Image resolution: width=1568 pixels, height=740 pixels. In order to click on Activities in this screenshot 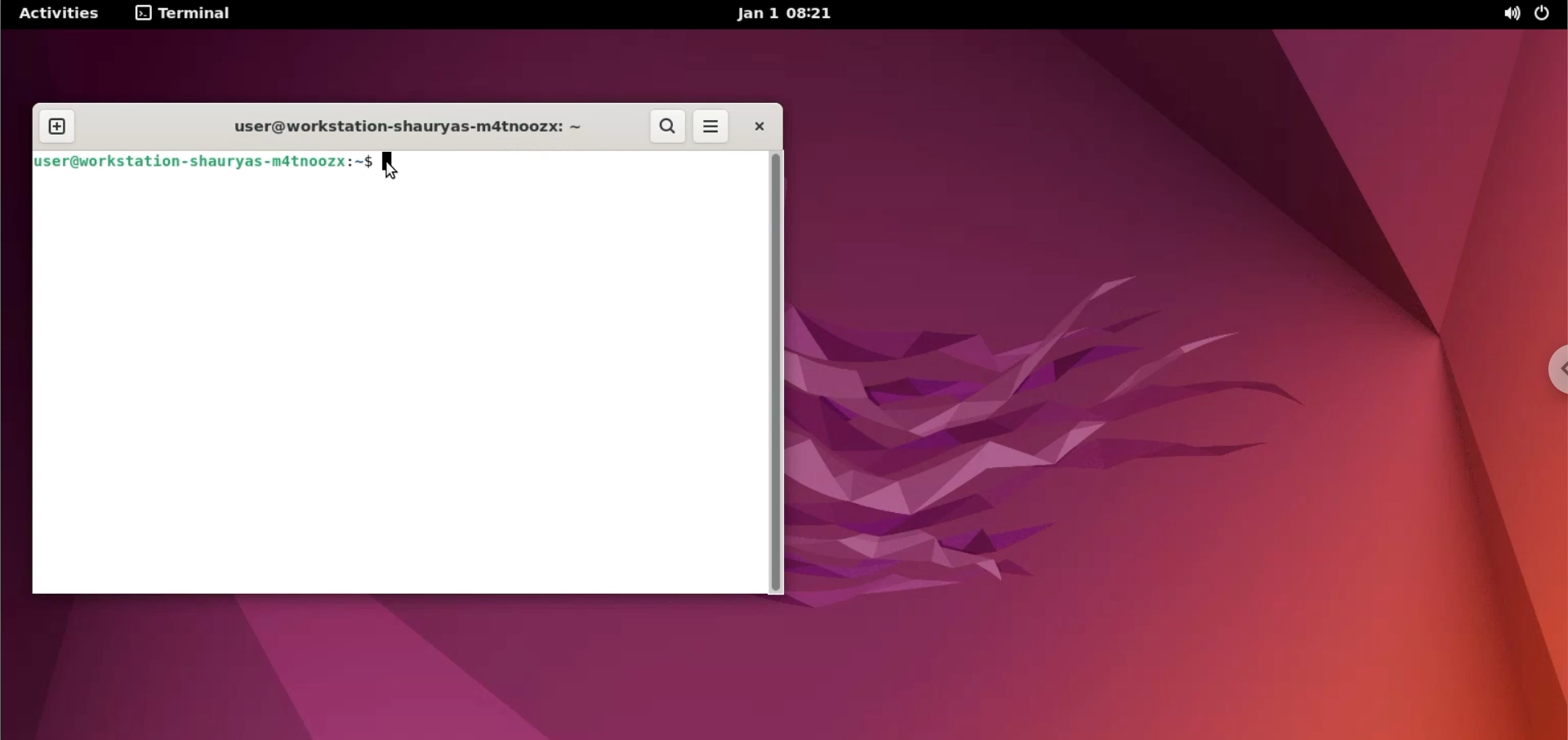, I will do `click(60, 14)`.